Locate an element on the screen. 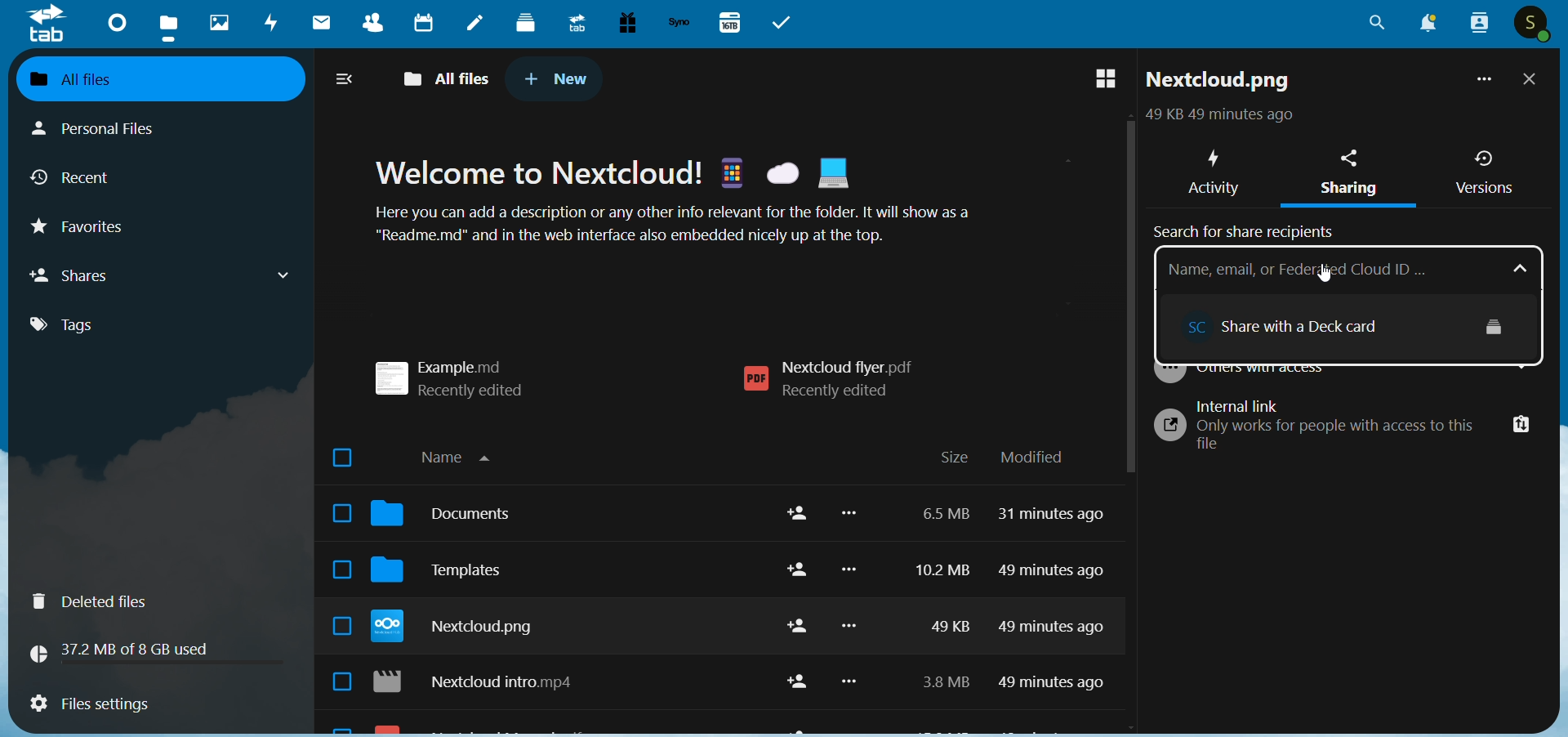 Image resolution: width=1568 pixels, height=737 pixels. nextcloud png is located at coordinates (461, 629).